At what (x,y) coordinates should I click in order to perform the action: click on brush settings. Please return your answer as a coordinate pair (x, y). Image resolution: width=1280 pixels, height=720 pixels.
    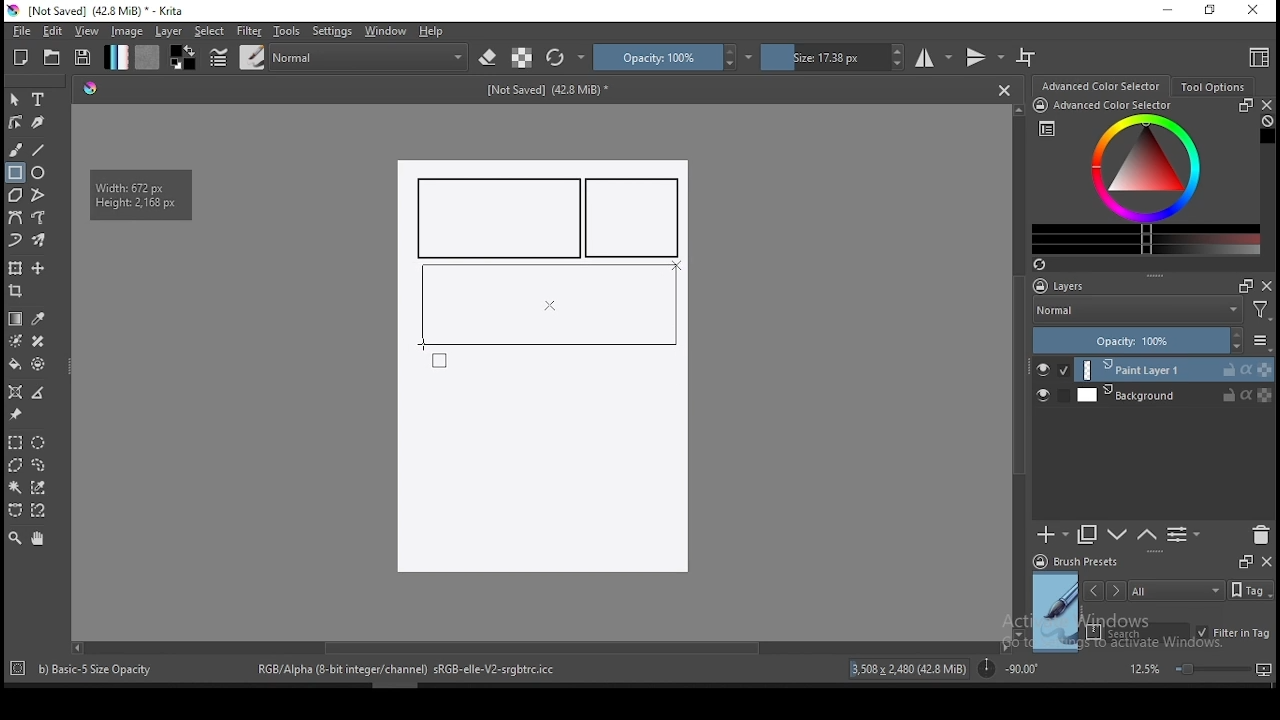
    Looking at the image, I should click on (217, 57).